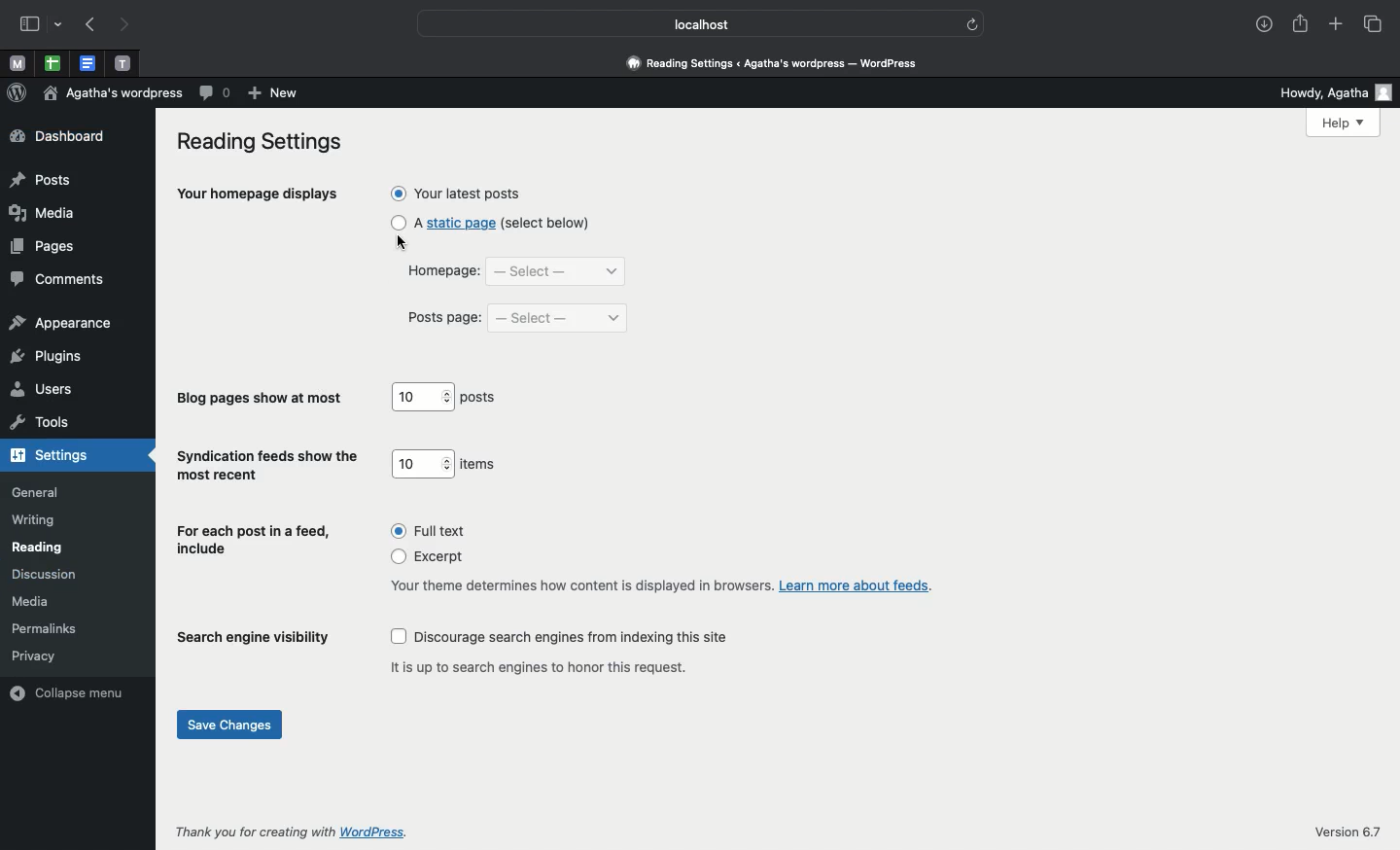  I want to click on Full text, so click(429, 531).